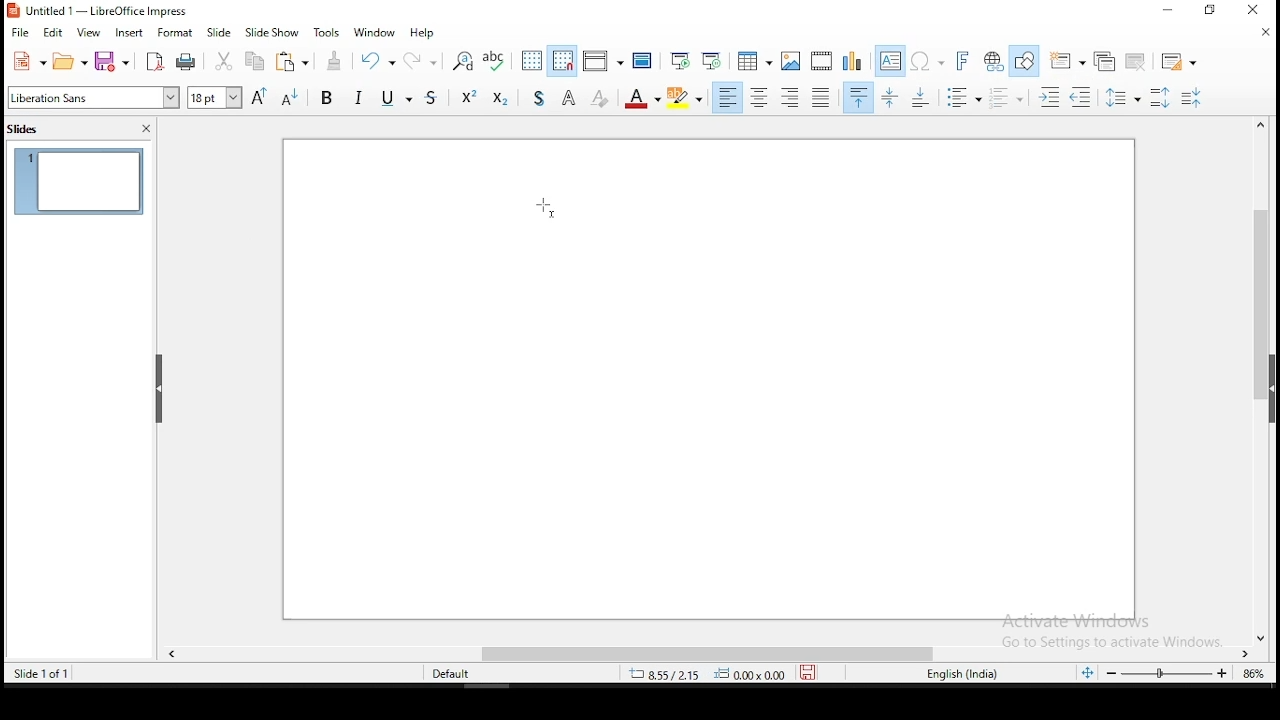 The height and width of the screenshot is (720, 1280). What do you see at coordinates (1261, 381) in the screenshot?
I see `scroll bar` at bounding box center [1261, 381].